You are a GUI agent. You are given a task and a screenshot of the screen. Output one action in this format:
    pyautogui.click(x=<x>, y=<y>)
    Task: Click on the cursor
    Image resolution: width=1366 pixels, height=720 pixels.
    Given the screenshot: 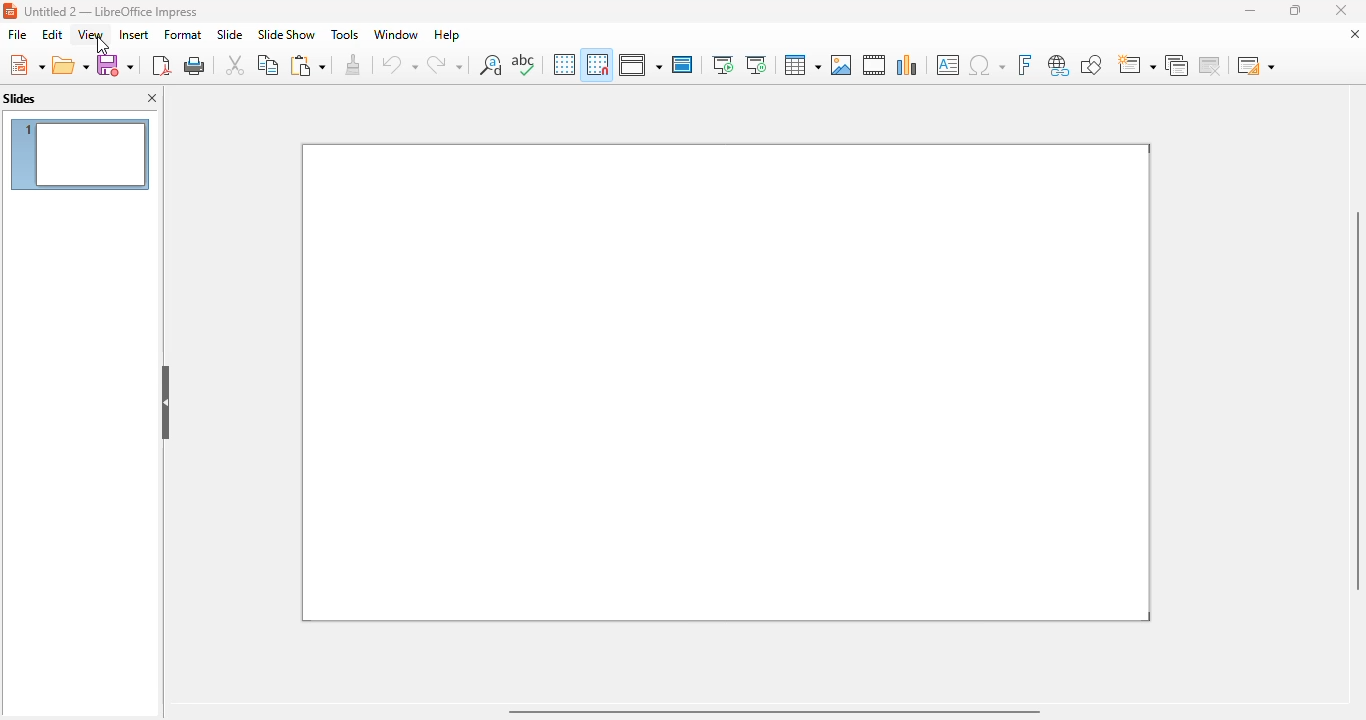 What is the action you would take?
    pyautogui.click(x=104, y=46)
    